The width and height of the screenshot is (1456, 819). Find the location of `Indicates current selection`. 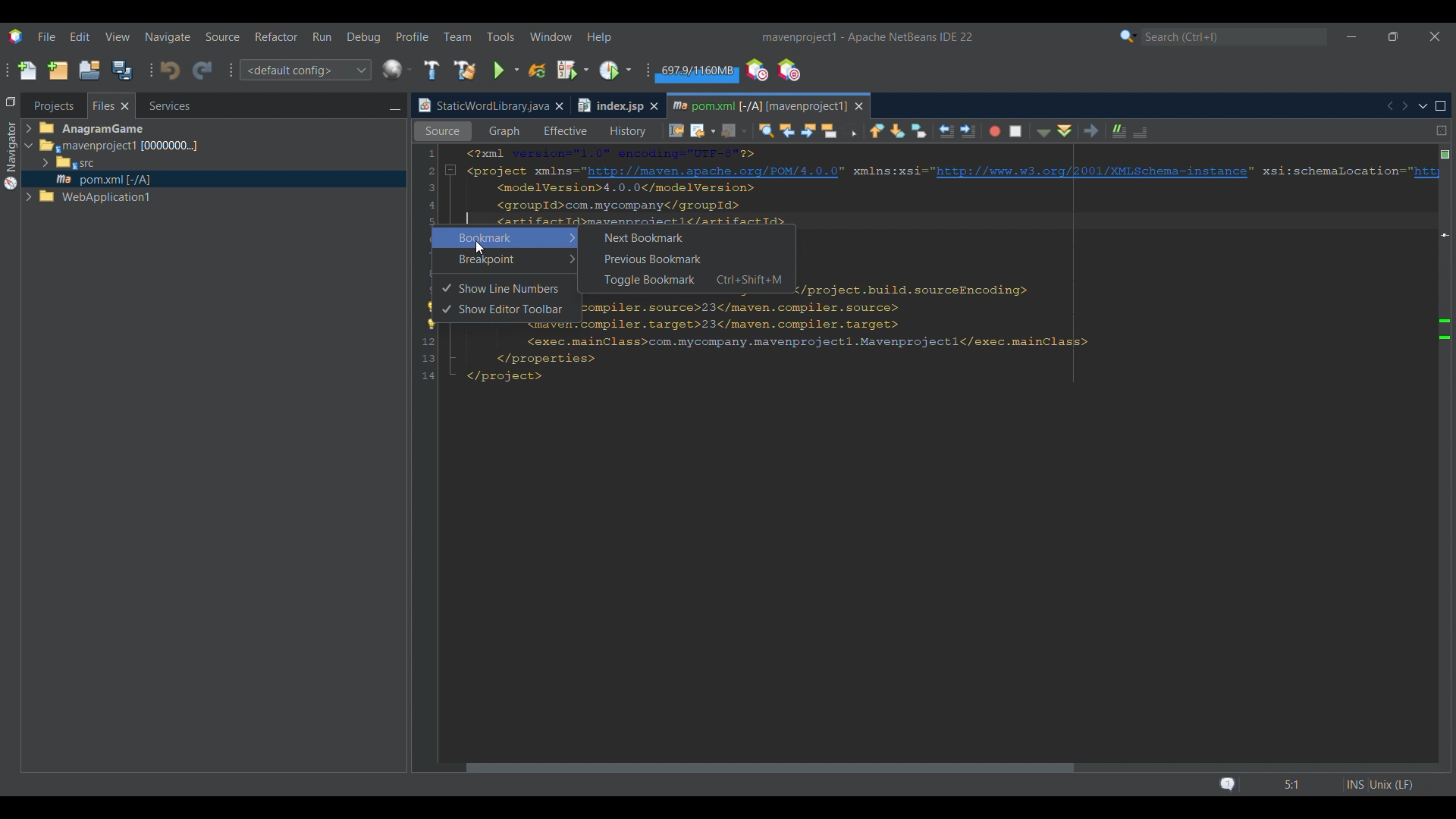

Indicates current selection is located at coordinates (446, 299).